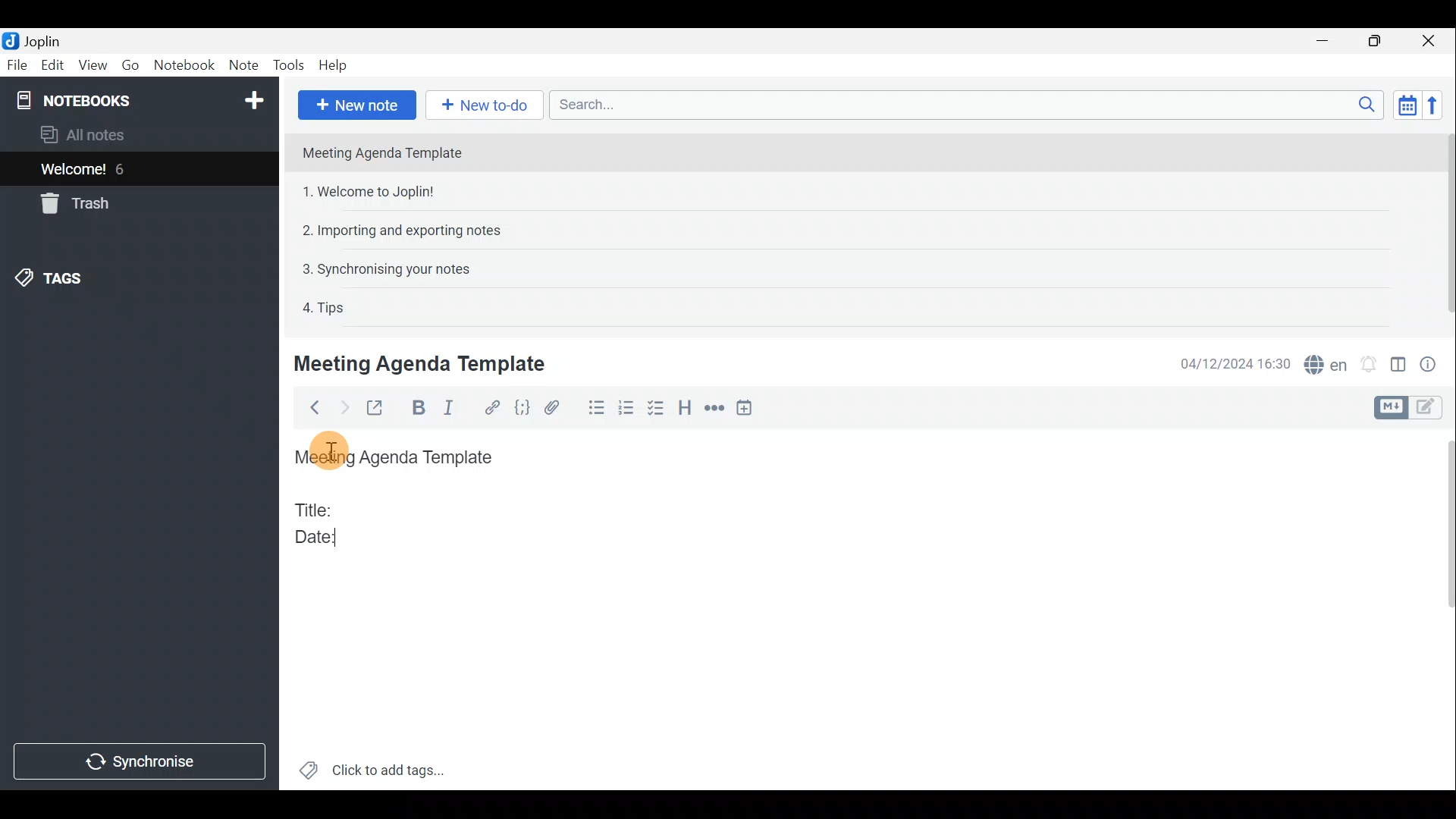 The image size is (1456, 819). What do you see at coordinates (1370, 364) in the screenshot?
I see `Set alarm` at bounding box center [1370, 364].